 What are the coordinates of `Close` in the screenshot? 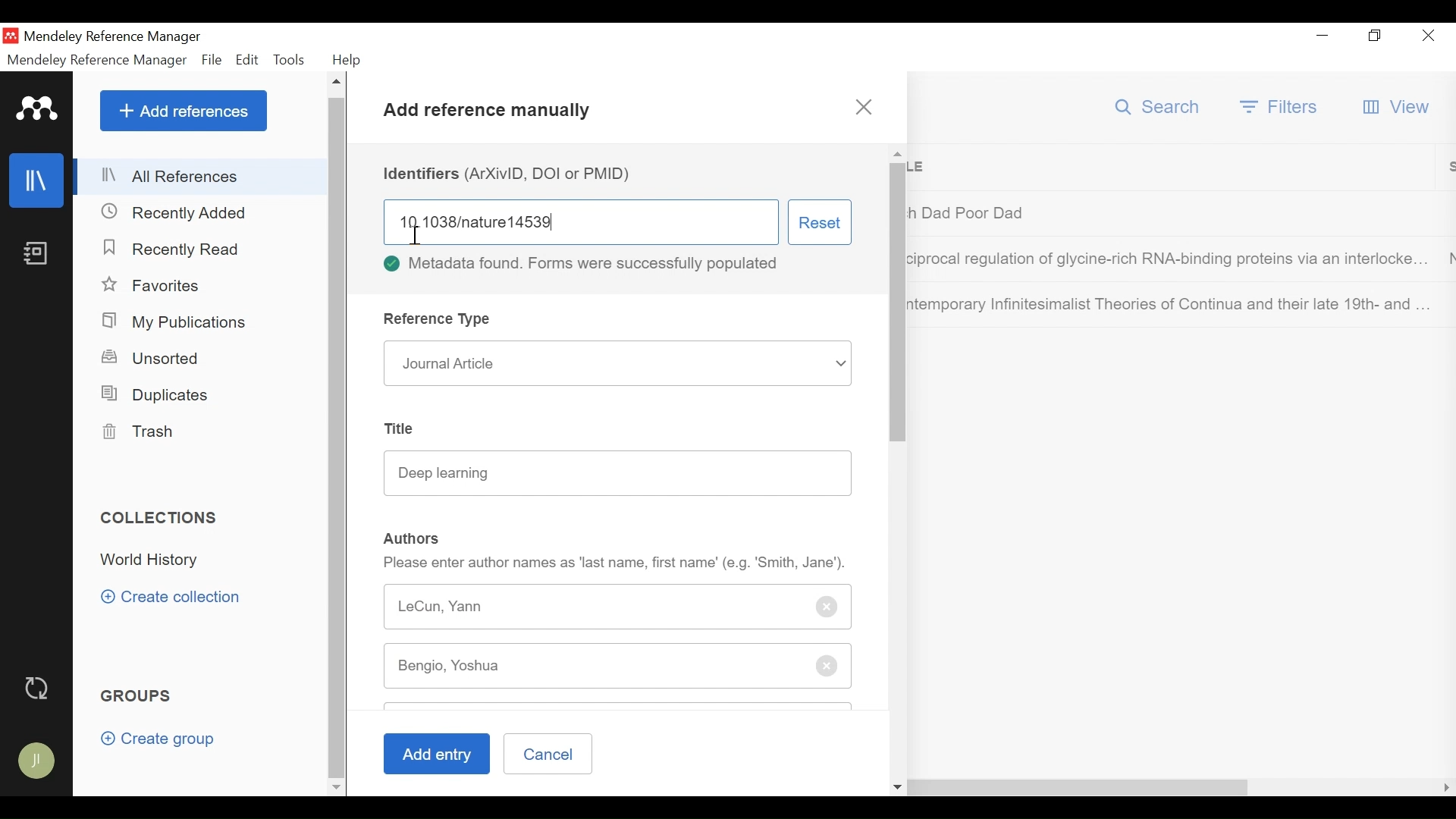 It's located at (1428, 37).